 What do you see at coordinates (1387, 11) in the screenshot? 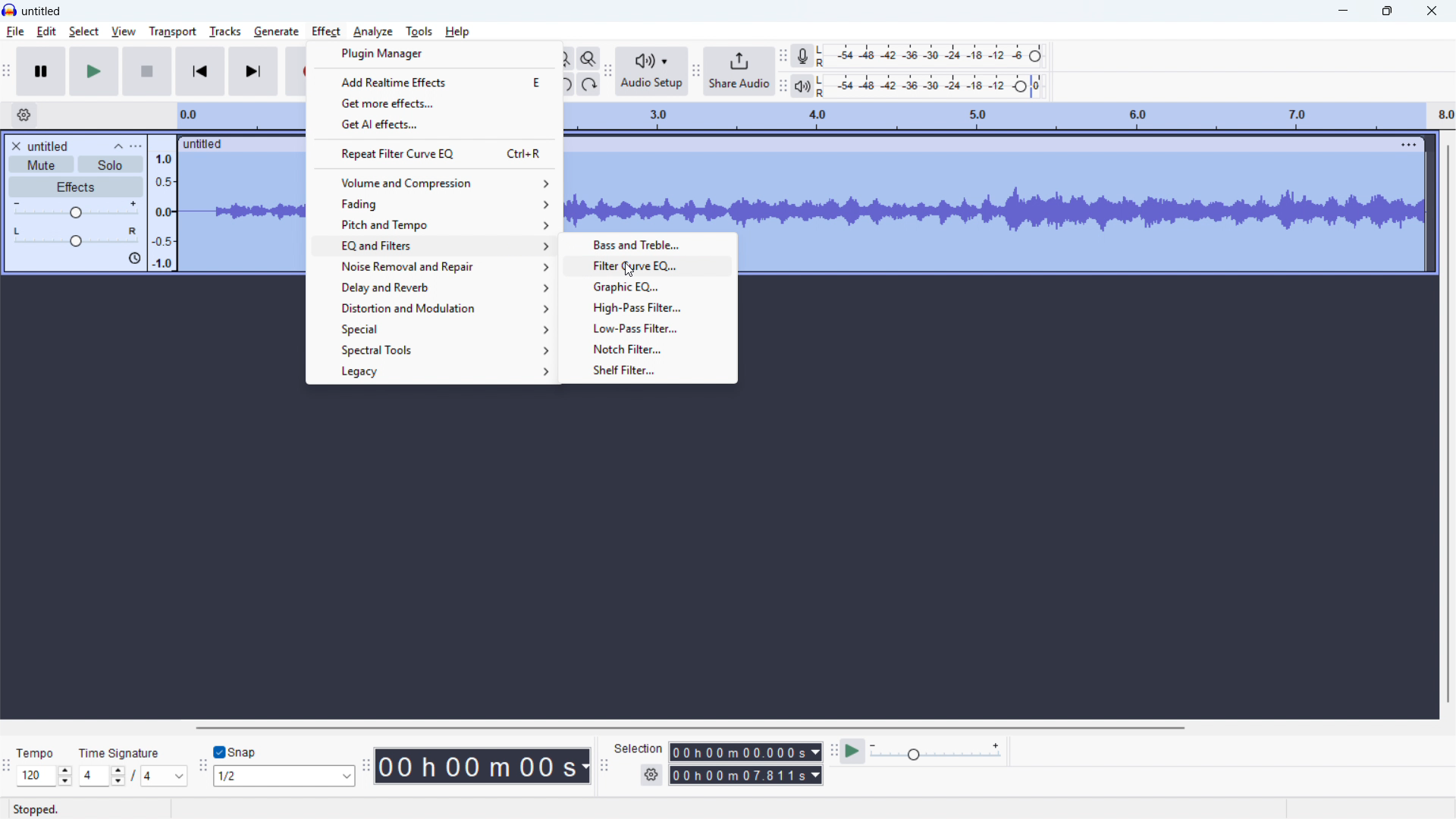
I see `Maximise ` at bounding box center [1387, 11].